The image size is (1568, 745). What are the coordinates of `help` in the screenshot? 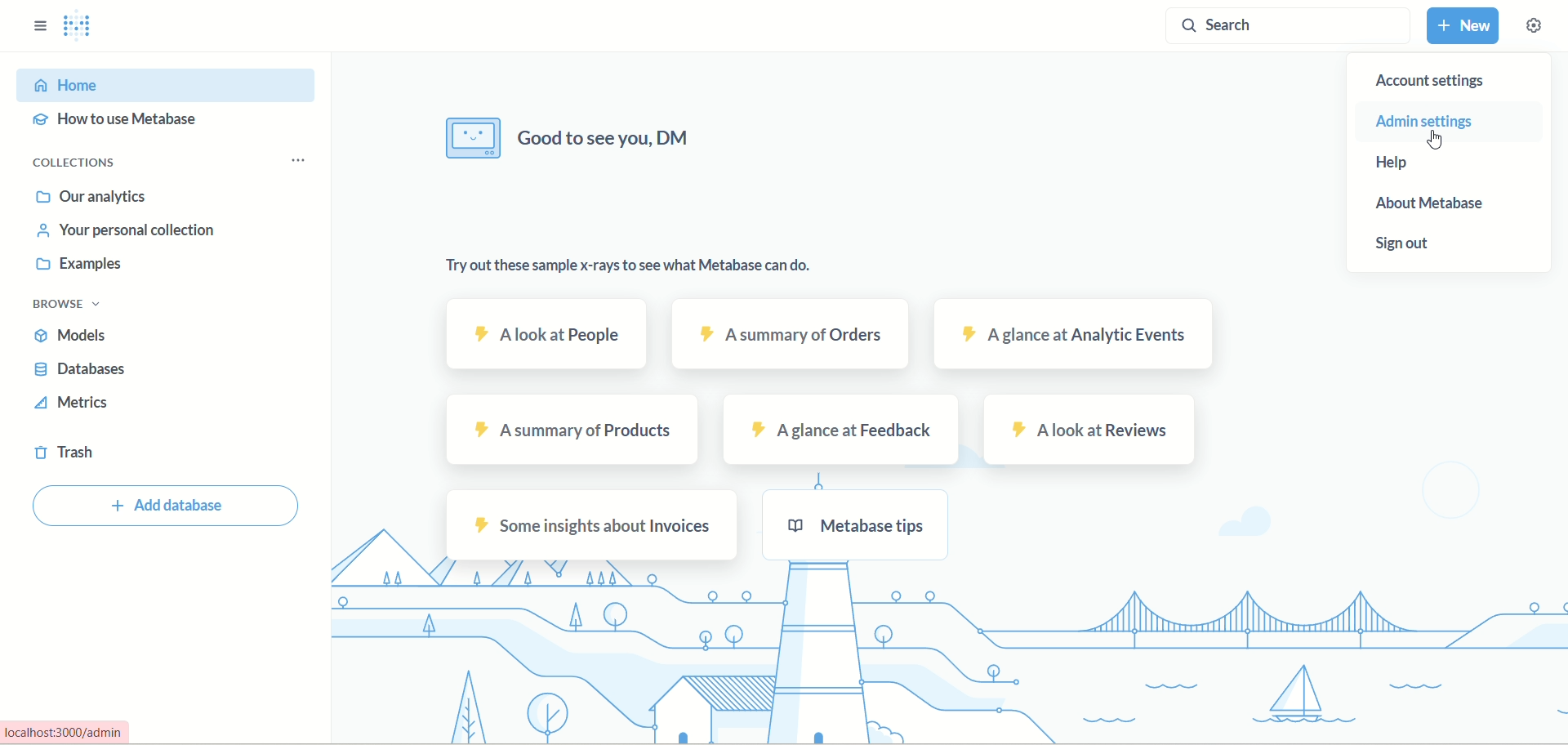 It's located at (1434, 164).